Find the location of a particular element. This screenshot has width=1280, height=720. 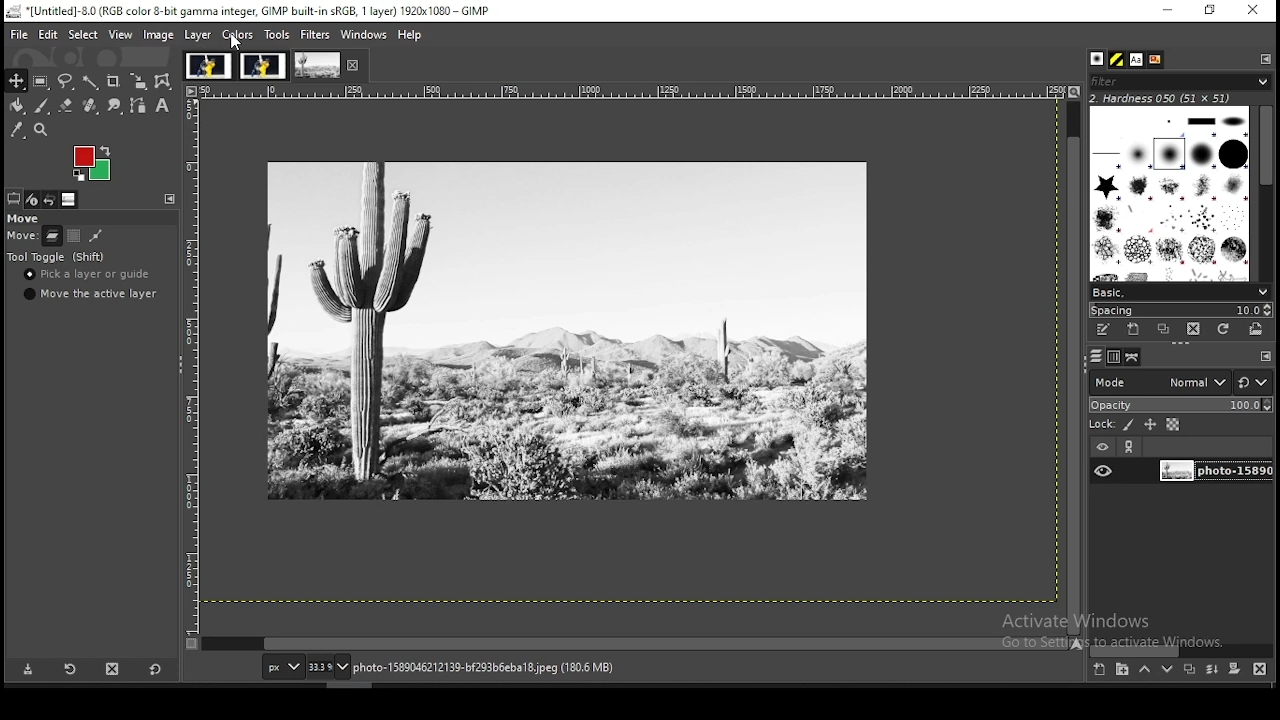

tools is located at coordinates (279, 33).